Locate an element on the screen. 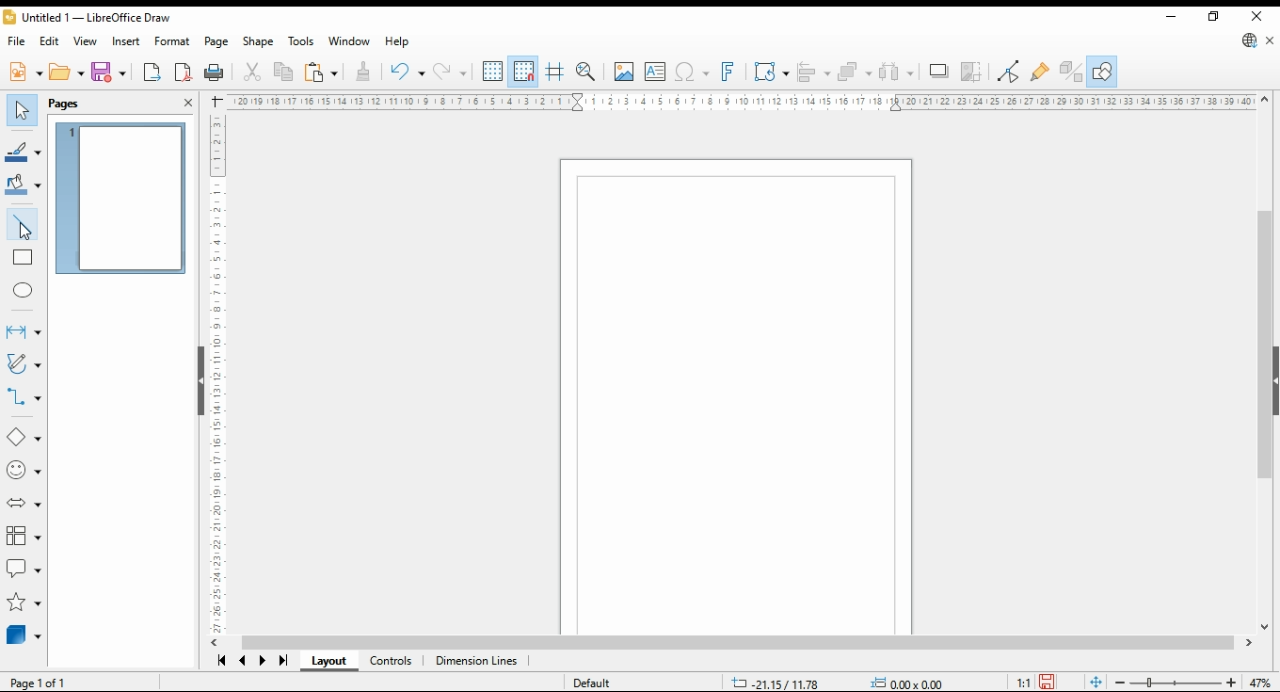 The image size is (1280, 692). zoom factor is located at coordinates (1263, 684).